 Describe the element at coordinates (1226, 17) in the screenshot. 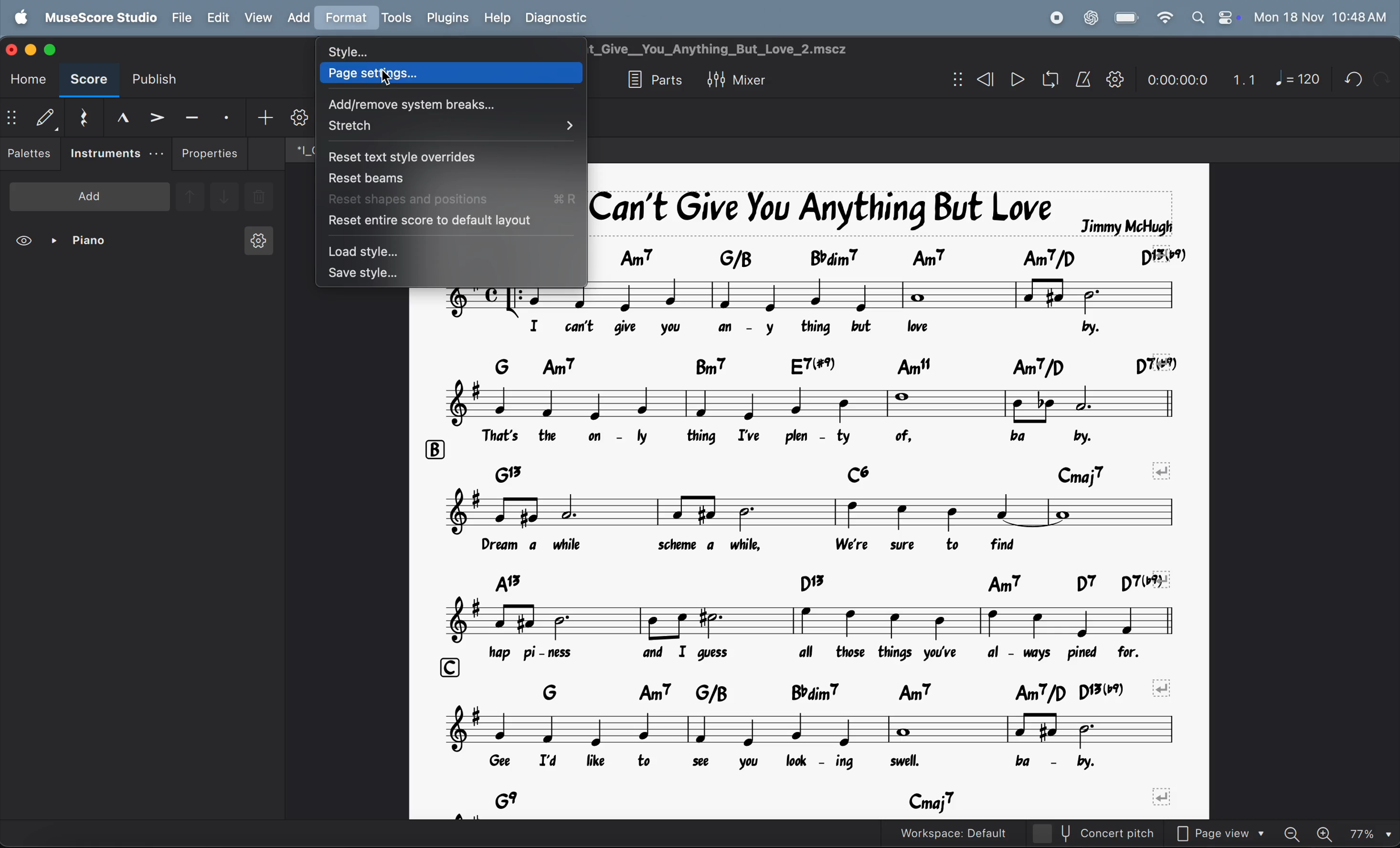

I see `control center` at that location.